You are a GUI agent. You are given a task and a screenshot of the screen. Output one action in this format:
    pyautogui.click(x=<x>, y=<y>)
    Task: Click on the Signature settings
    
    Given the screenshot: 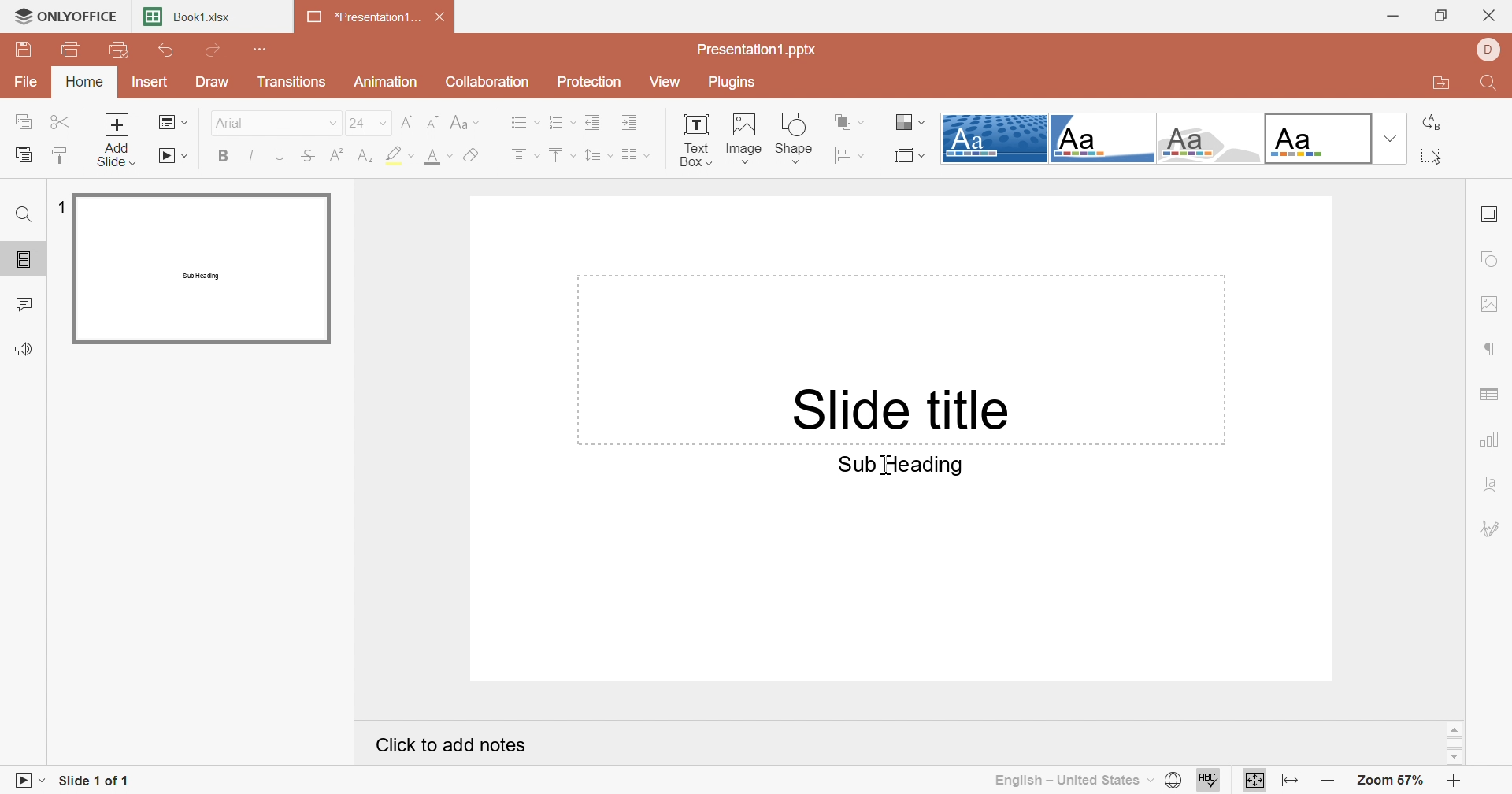 What is the action you would take?
    pyautogui.click(x=1492, y=529)
    